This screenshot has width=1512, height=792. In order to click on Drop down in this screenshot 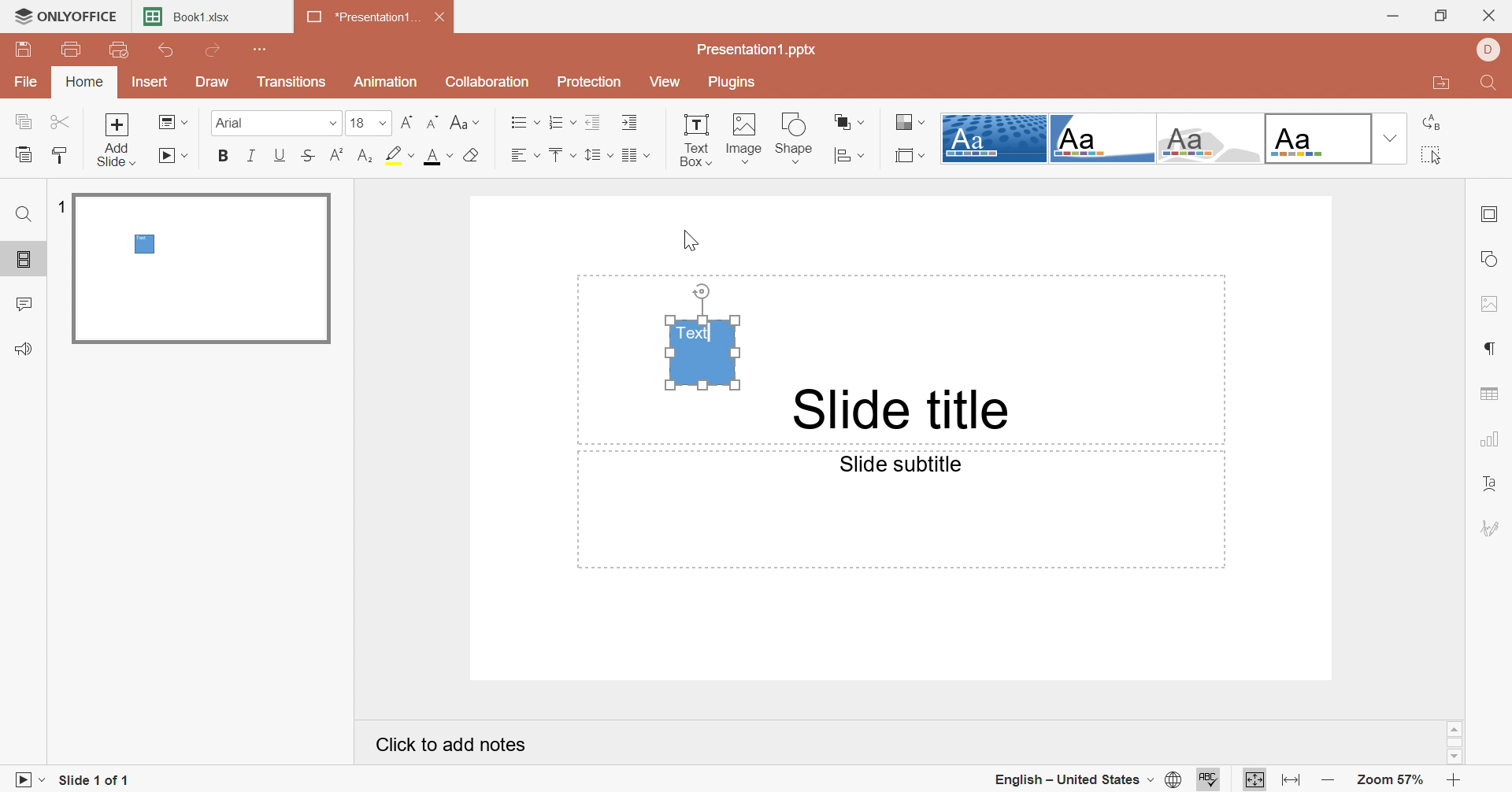, I will do `click(327, 122)`.